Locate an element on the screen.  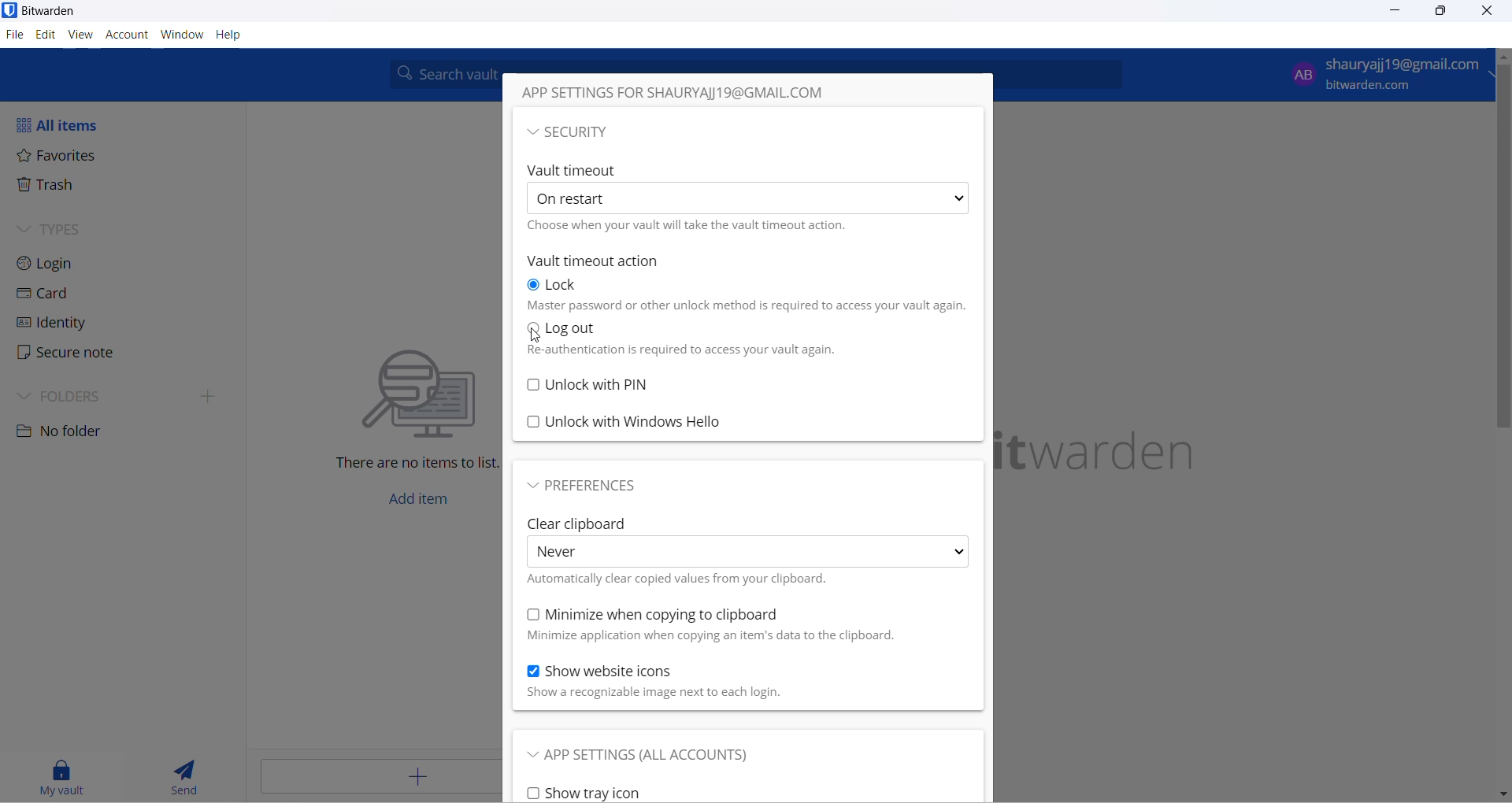
security  is located at coordinates (594, 134).